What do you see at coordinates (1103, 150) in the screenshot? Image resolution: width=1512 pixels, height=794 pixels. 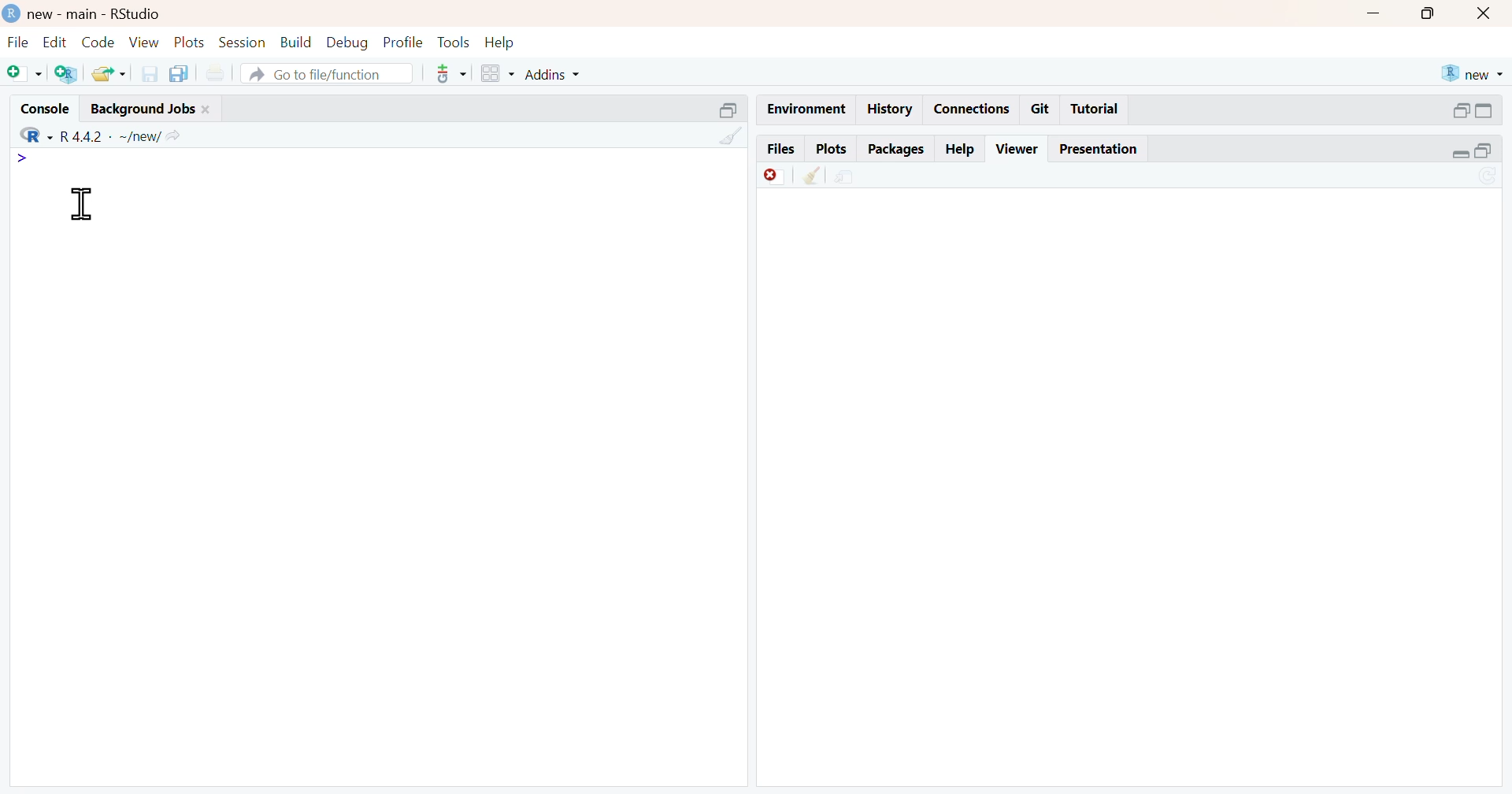 I see `presentation` at bounding box center [1103, 150].